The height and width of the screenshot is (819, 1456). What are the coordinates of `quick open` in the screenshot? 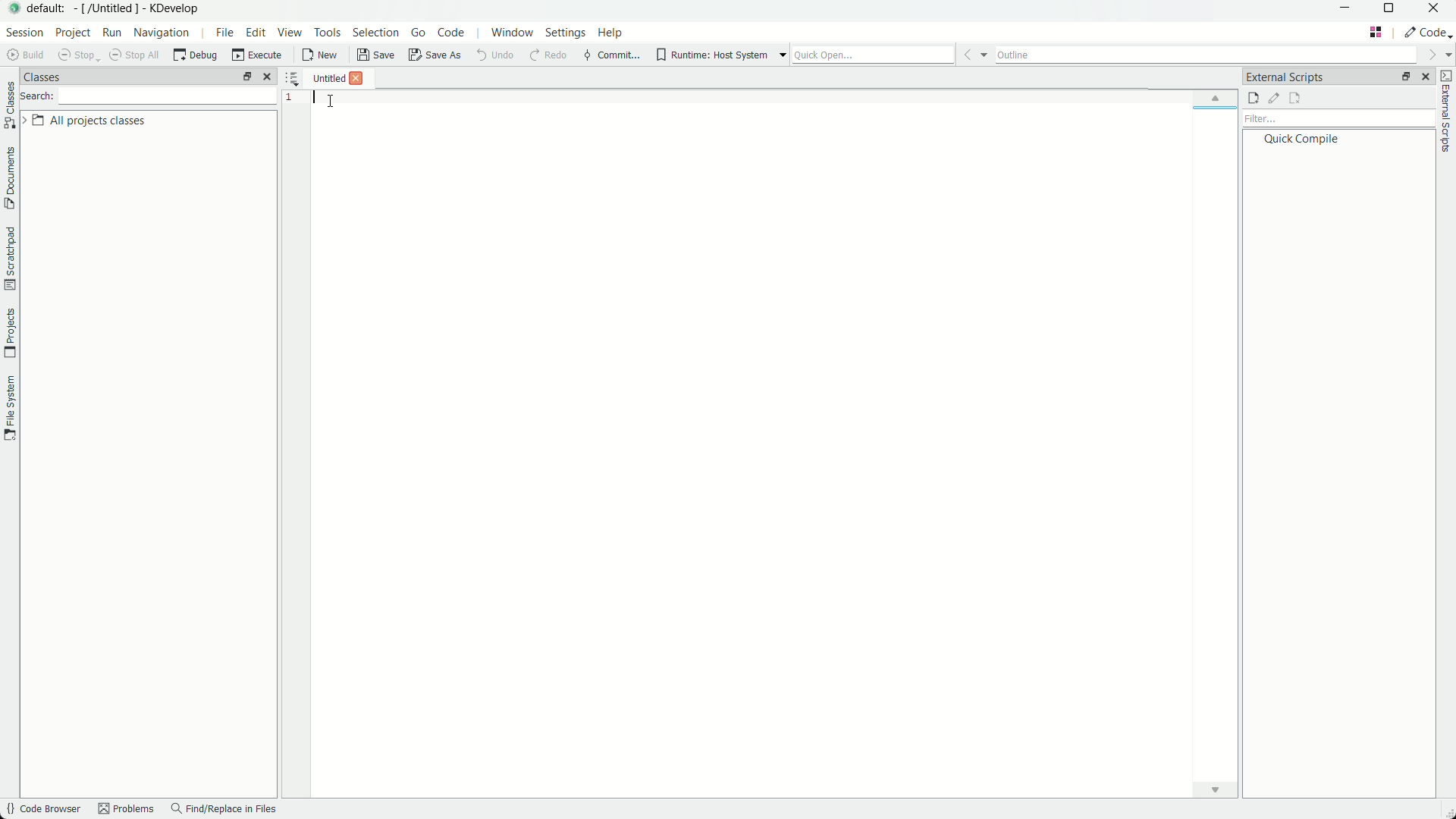 It's located at (890, 55).